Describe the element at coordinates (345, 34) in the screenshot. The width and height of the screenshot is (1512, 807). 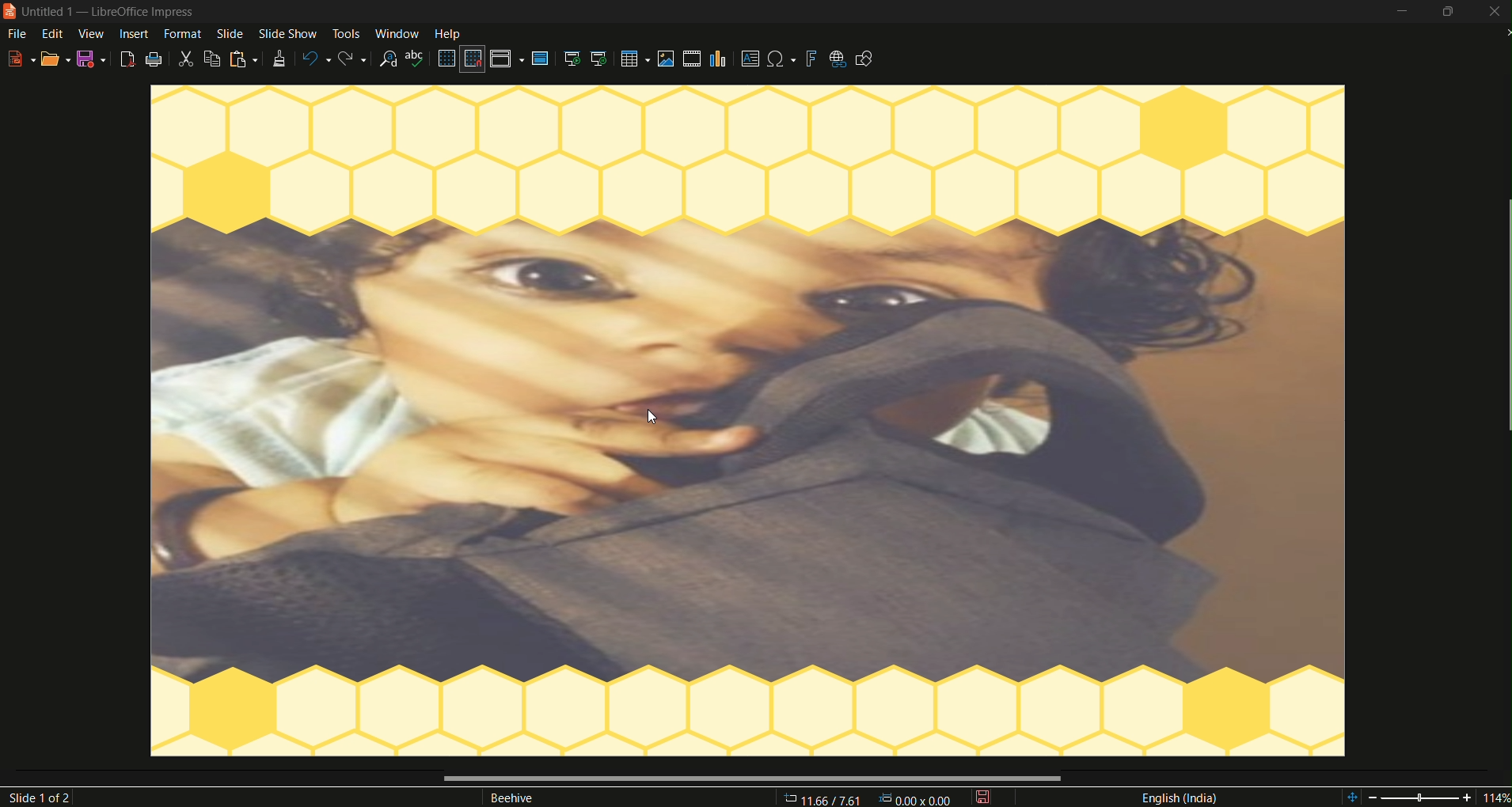
I see `tools` at that location.